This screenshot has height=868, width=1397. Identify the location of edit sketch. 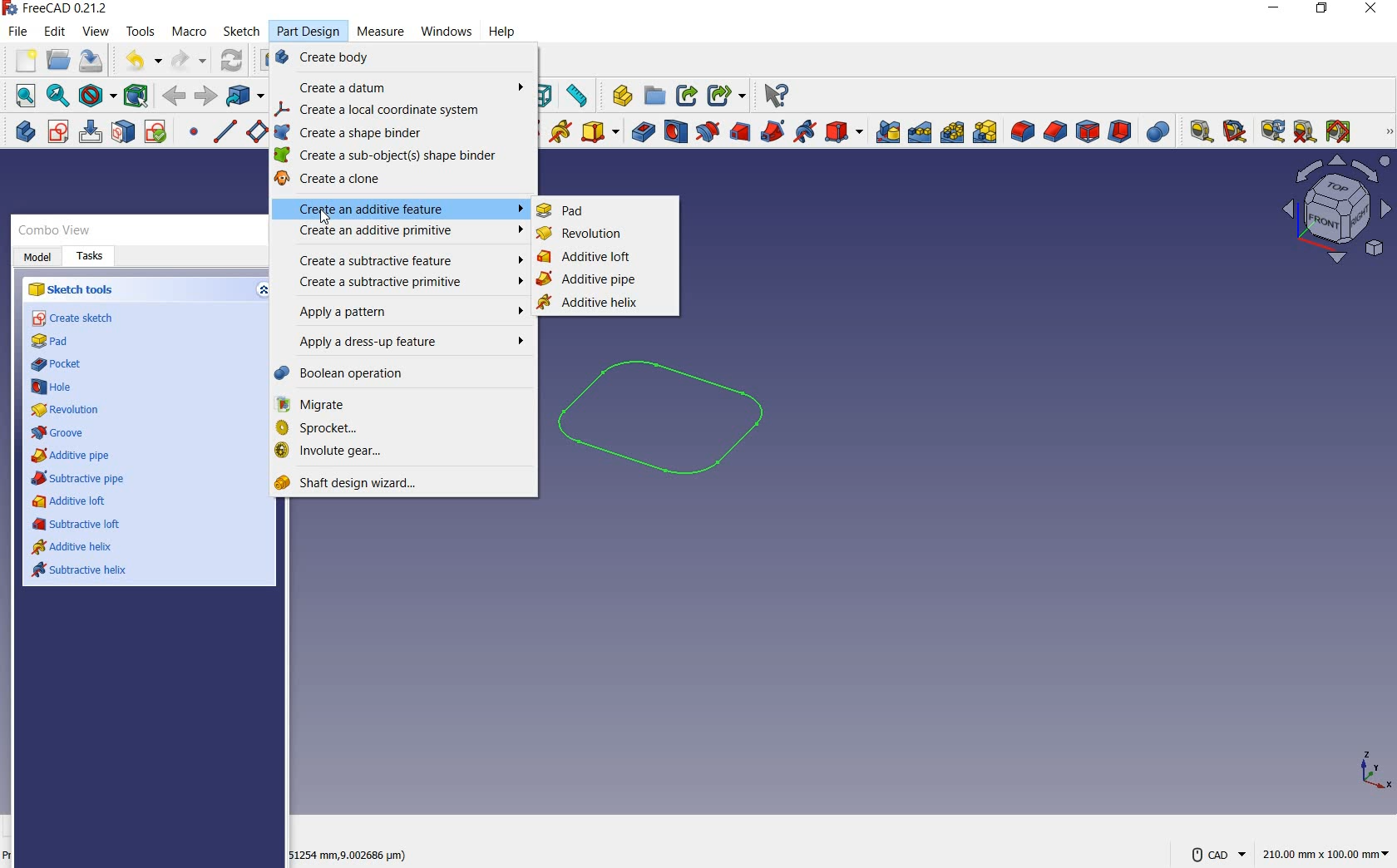
(92, 133).